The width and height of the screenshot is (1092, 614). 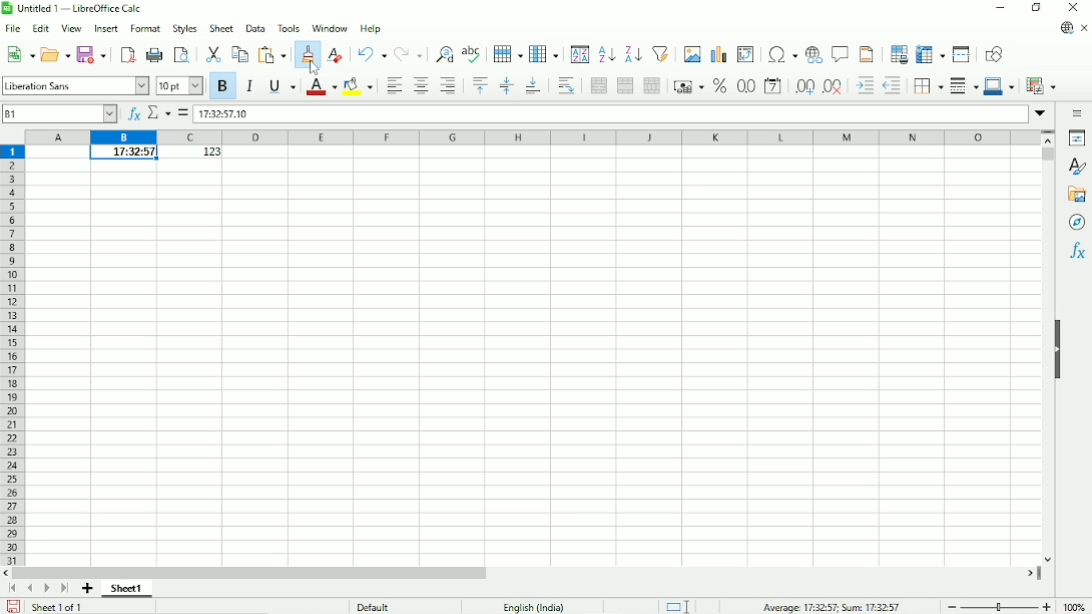 I want to click on Redo, so click(x=408, y=53).